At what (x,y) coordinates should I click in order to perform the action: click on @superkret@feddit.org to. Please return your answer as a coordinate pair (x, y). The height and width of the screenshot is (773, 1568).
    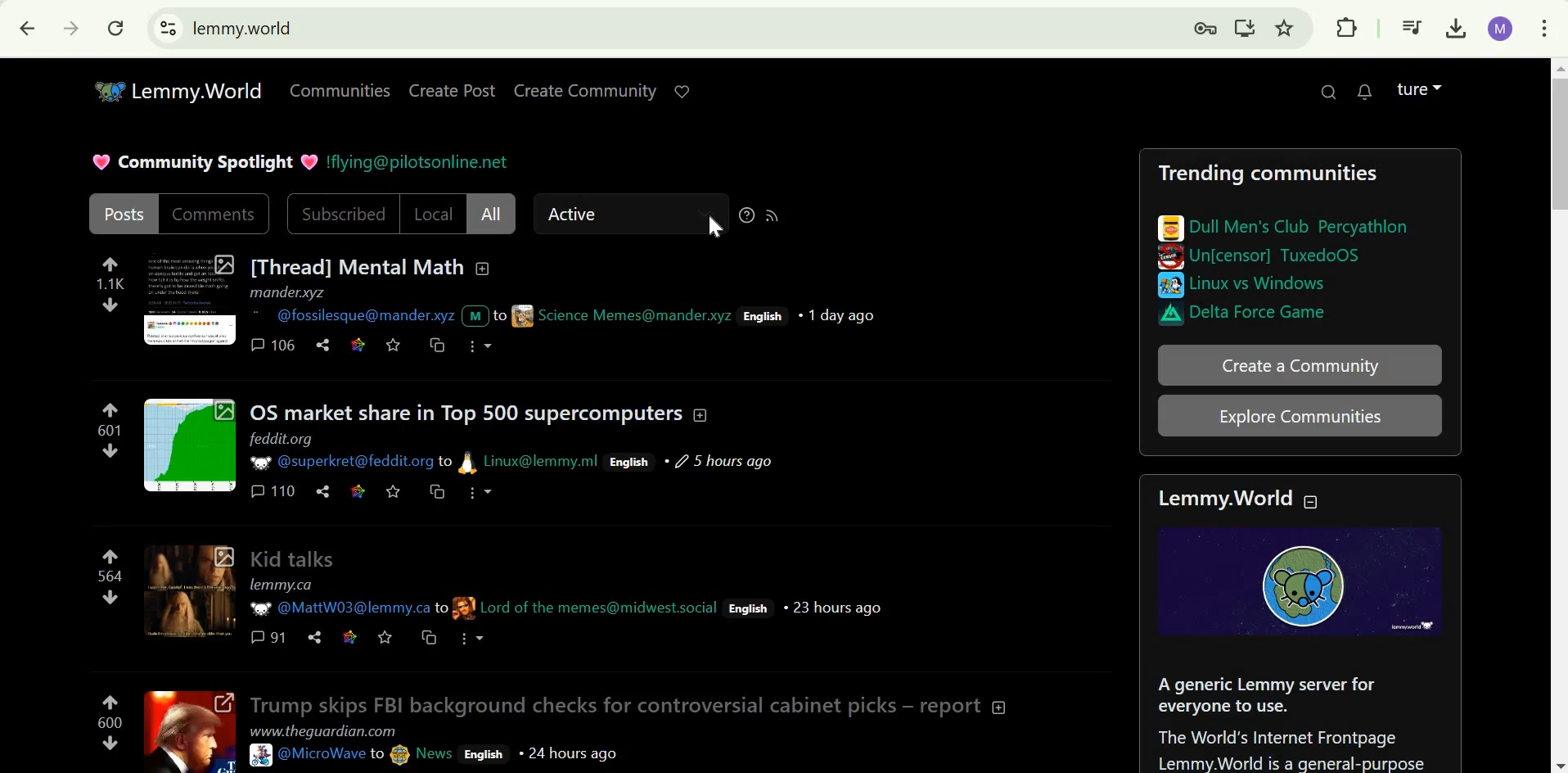
    Looking at the image, I should click on (363, 463).